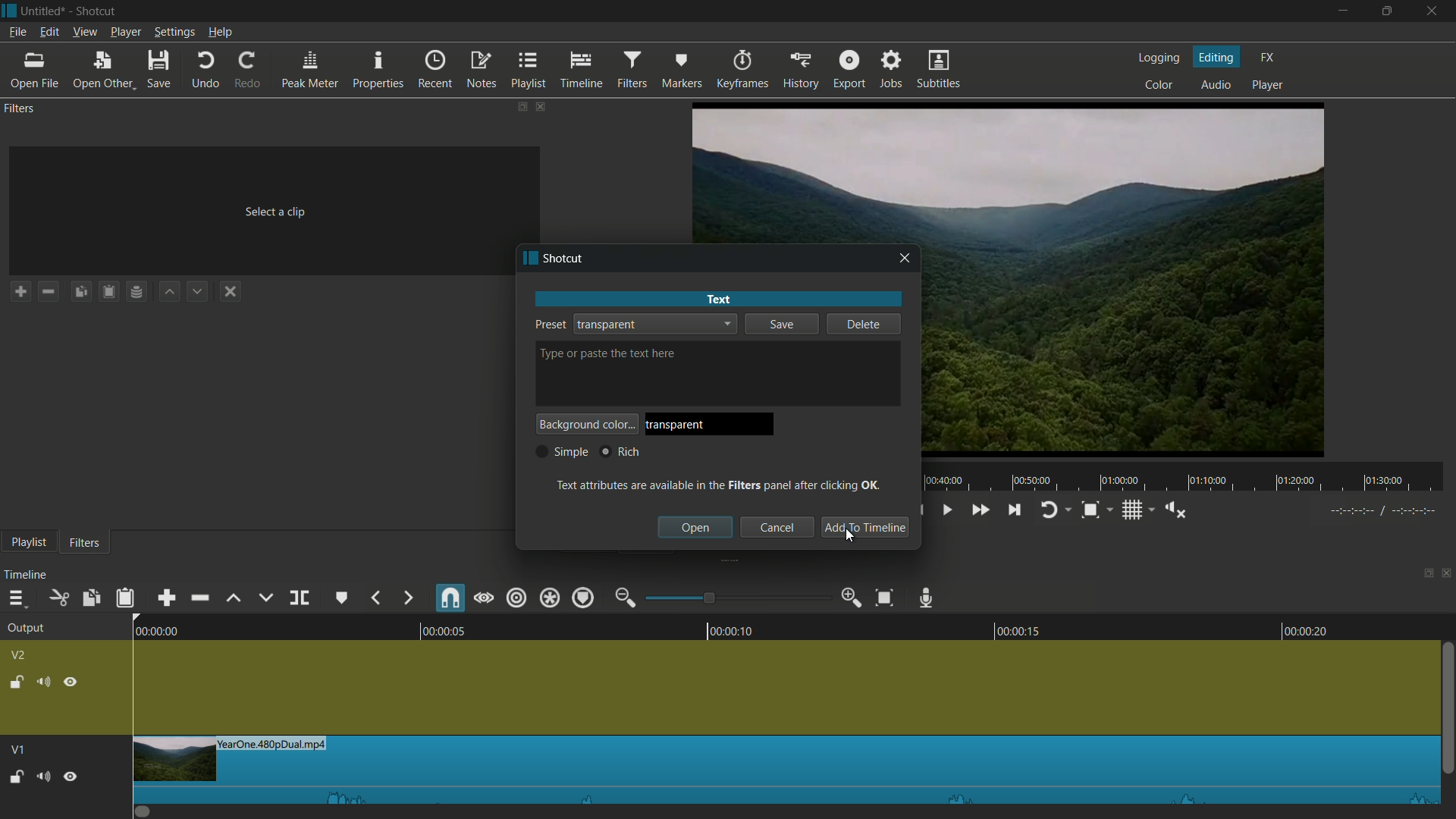 The height and width of the screenshot is (819, 1456). What do you see at coordinates (531, 71) in the screenshot?
I see `playlist` at bounding box center [531, 71].